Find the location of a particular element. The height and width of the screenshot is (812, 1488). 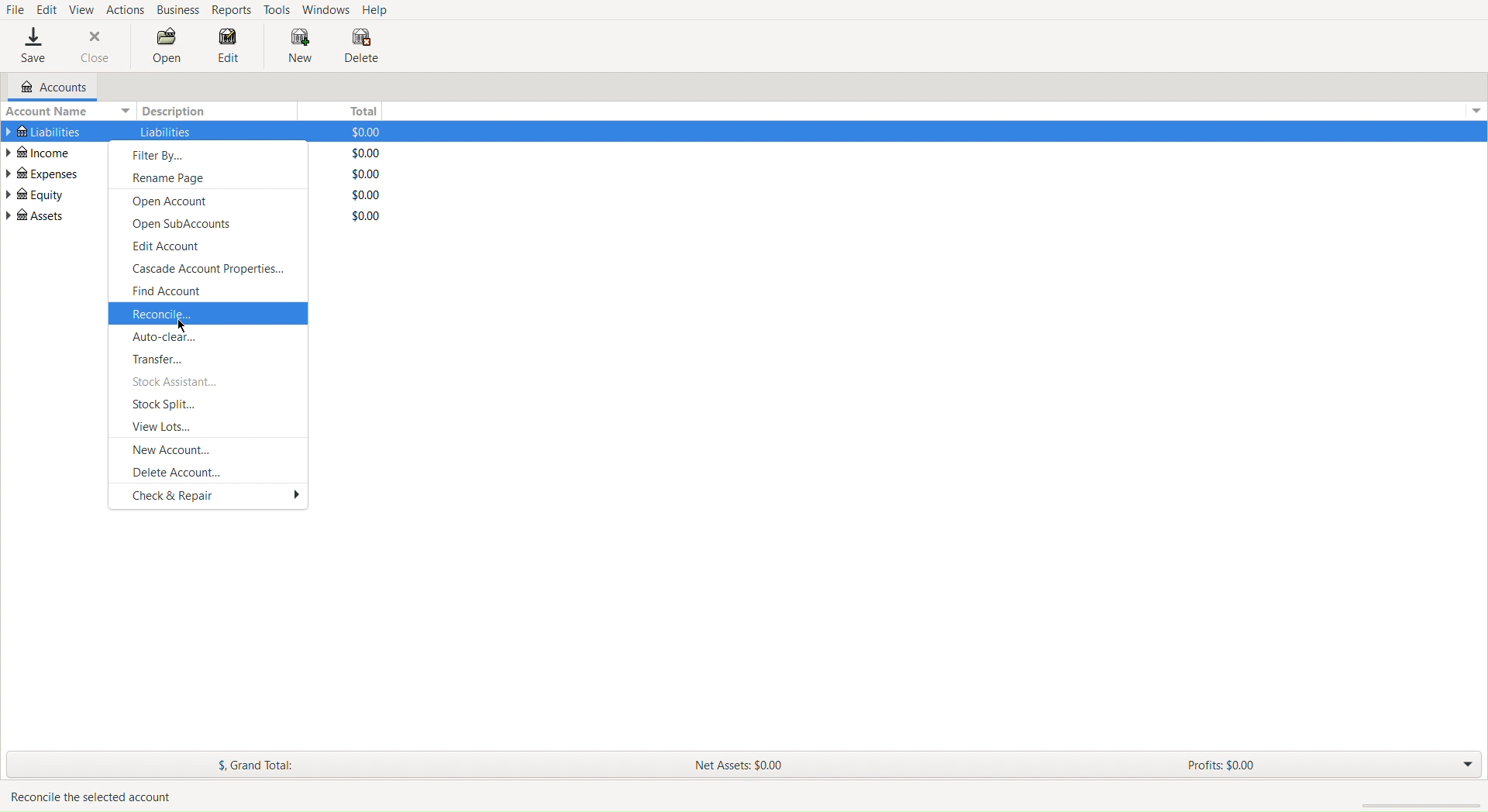

New Assets is located at coordinates (742, 764).